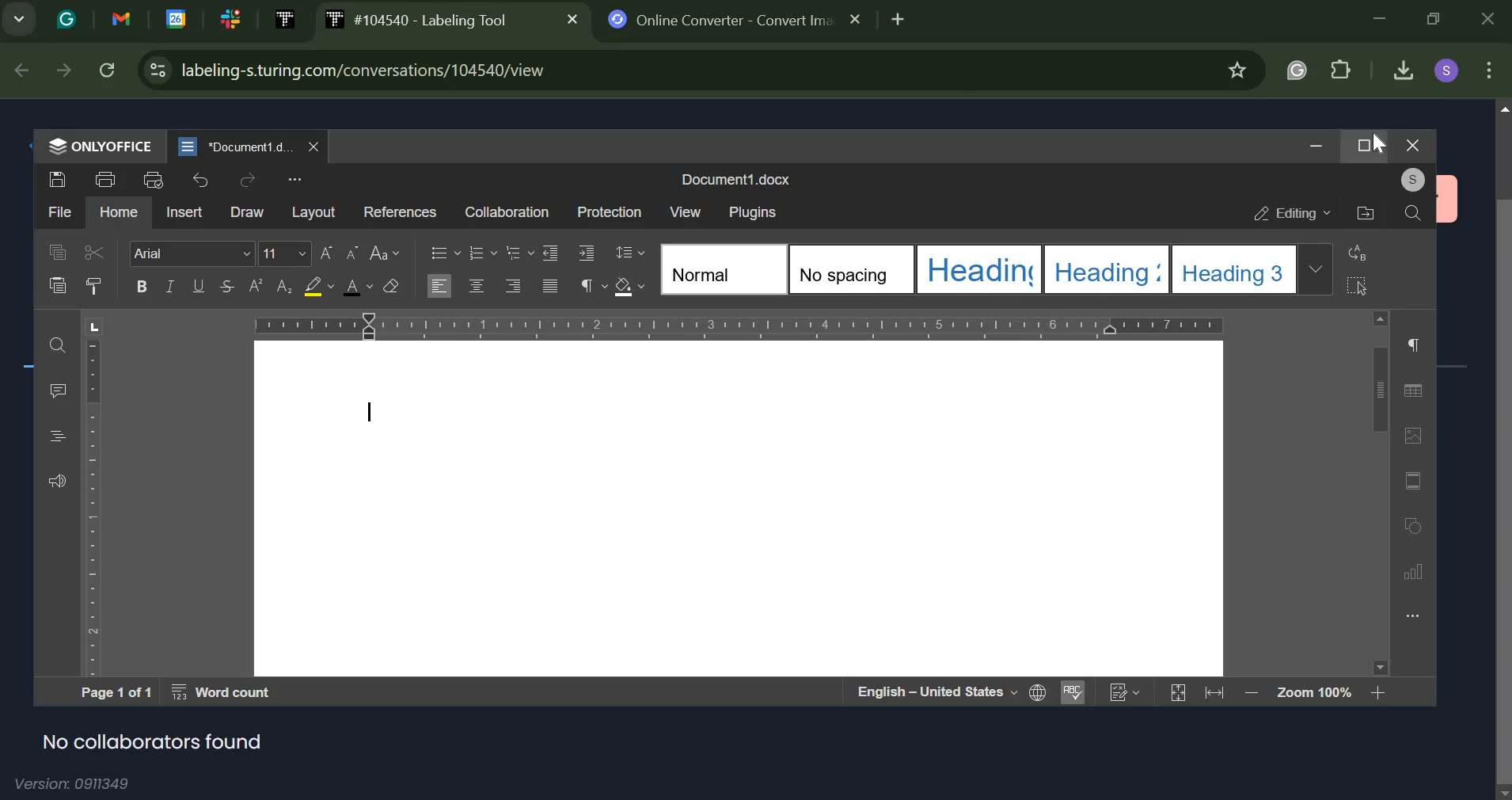  I want to click on No spacing, so click(853, 269).